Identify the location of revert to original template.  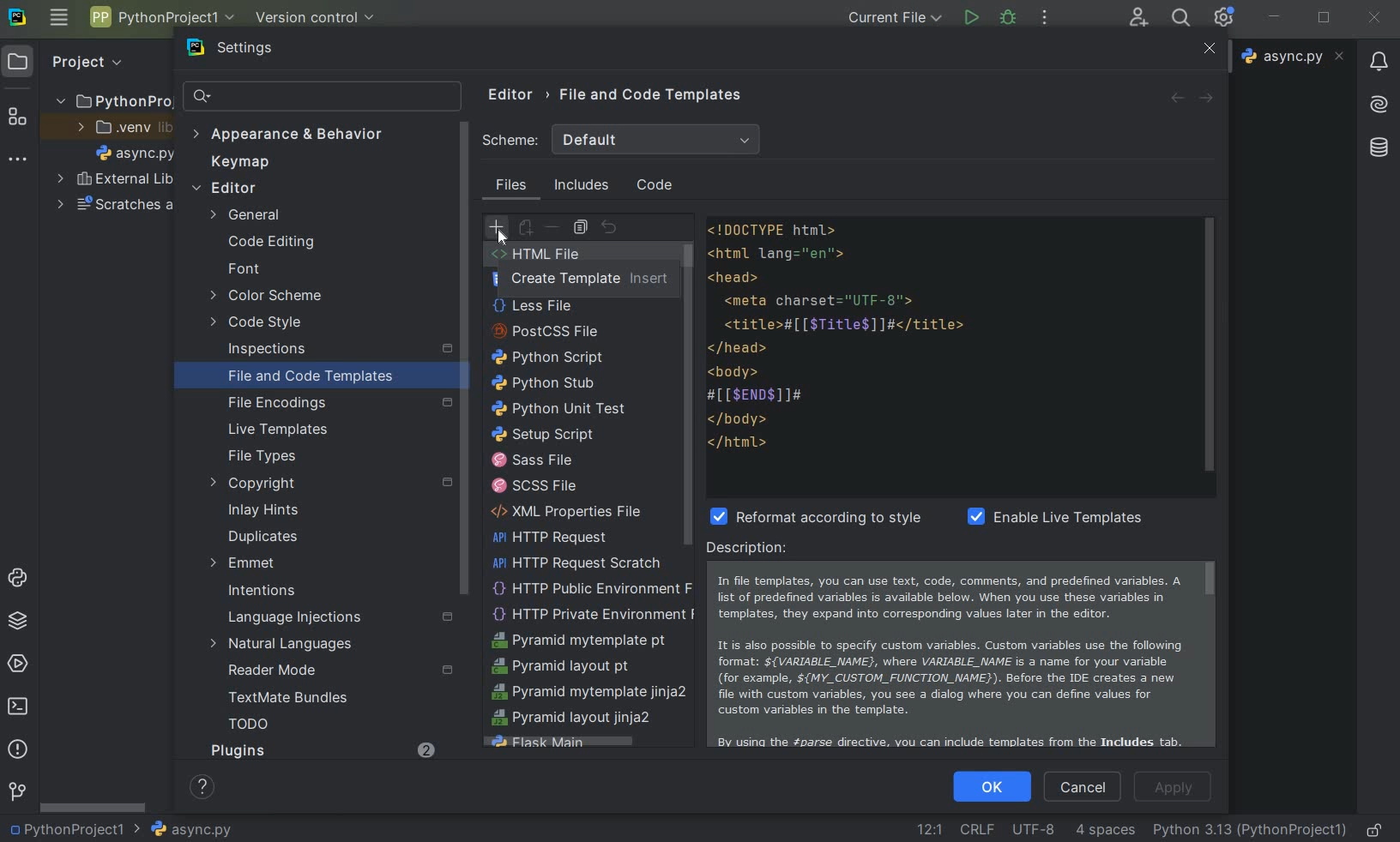
(611, 227).